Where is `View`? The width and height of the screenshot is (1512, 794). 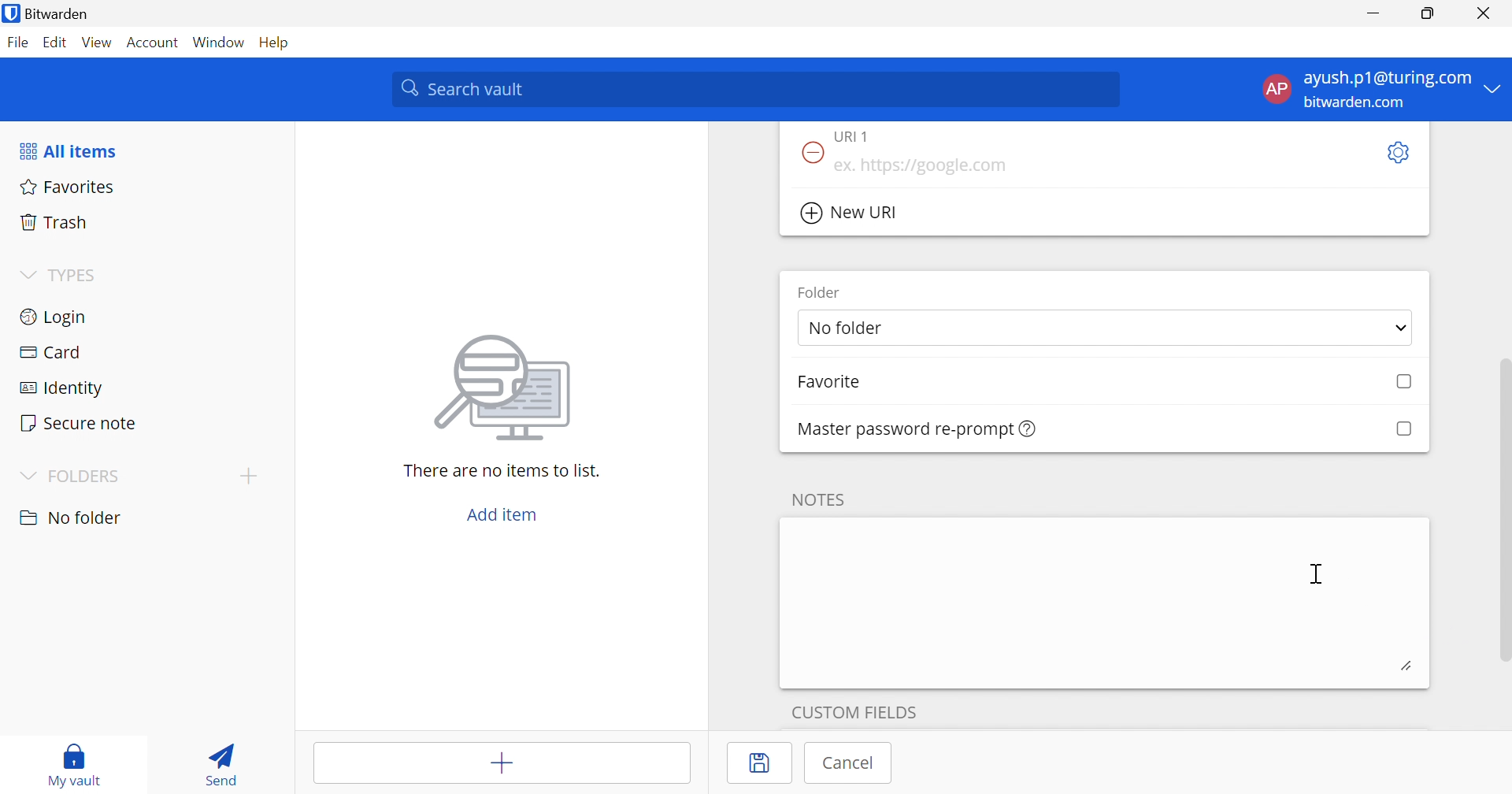 View is located at coordinates (96, 42).